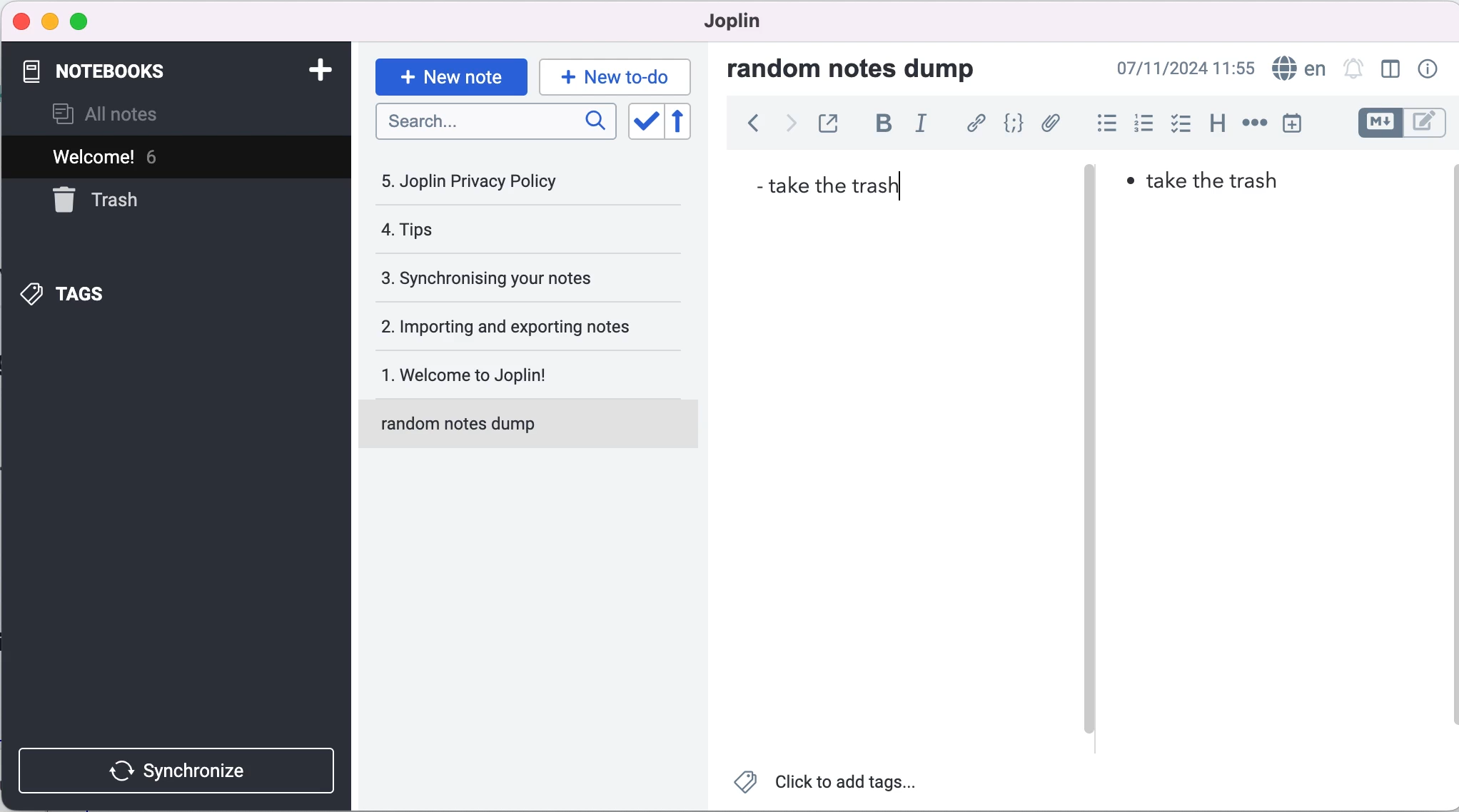 This screenshot has width=1459, height=812. What do you see at coordinates (865, 68) in the screenshot?
I see `random notes dump` at bounding box center [865, 68].